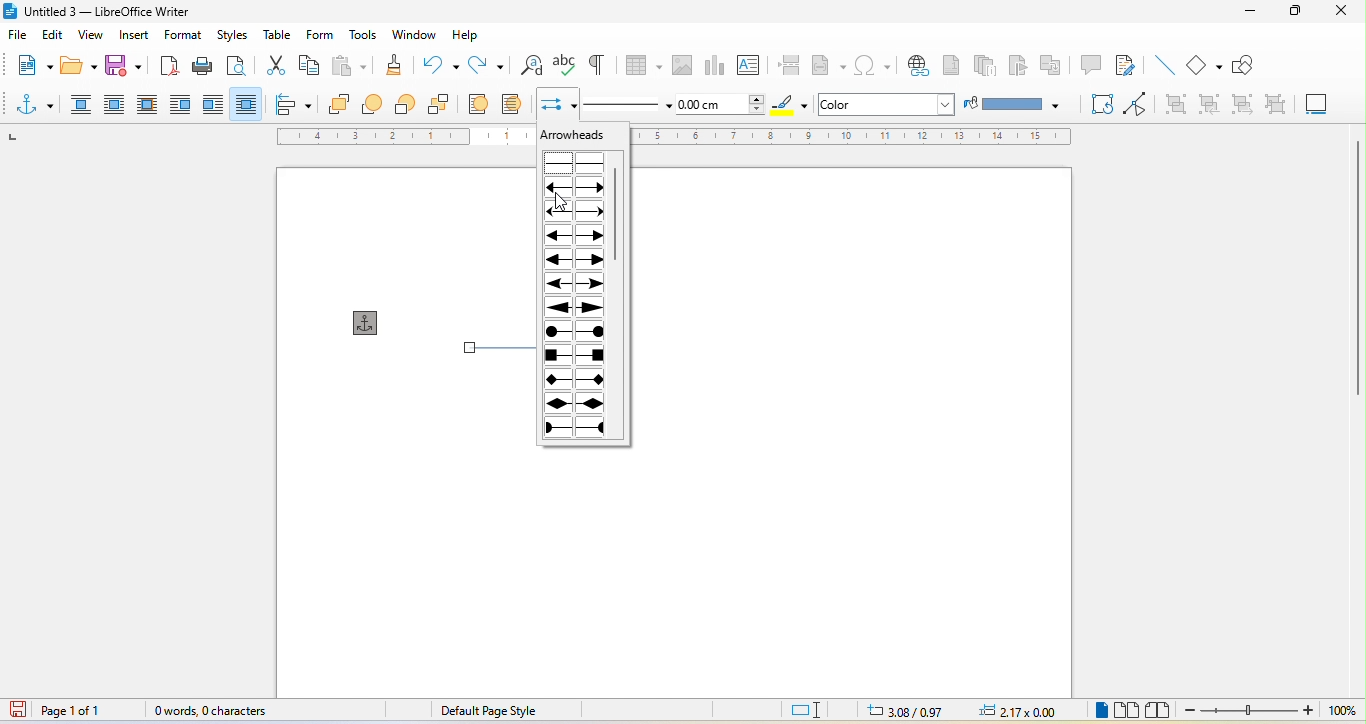  What do you see at coordinates (580, 427) in the screenshot?
I see `half circle` at bounding box center [580, 427].